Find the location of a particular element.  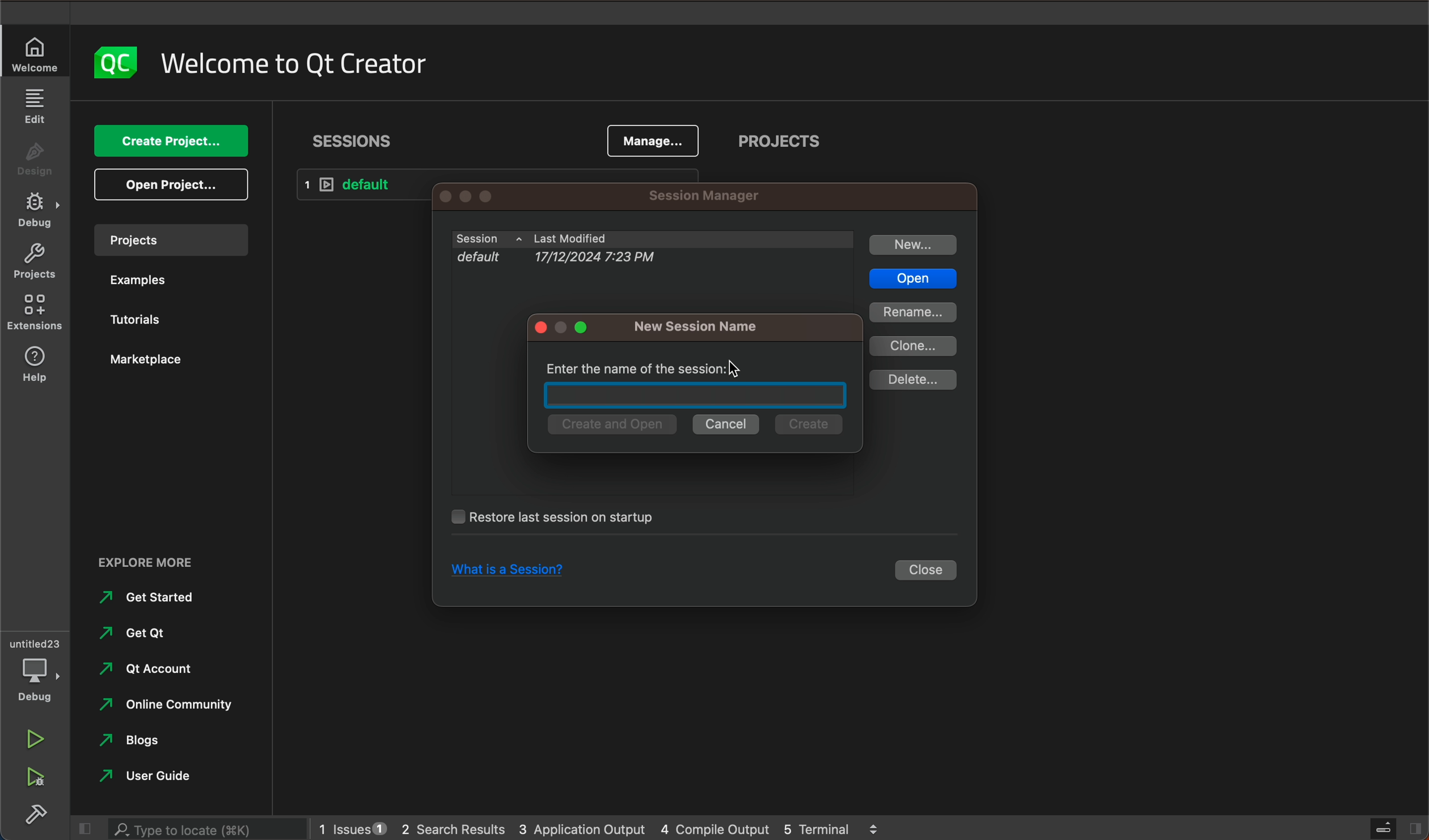

new is located at coordinates (914, 245).